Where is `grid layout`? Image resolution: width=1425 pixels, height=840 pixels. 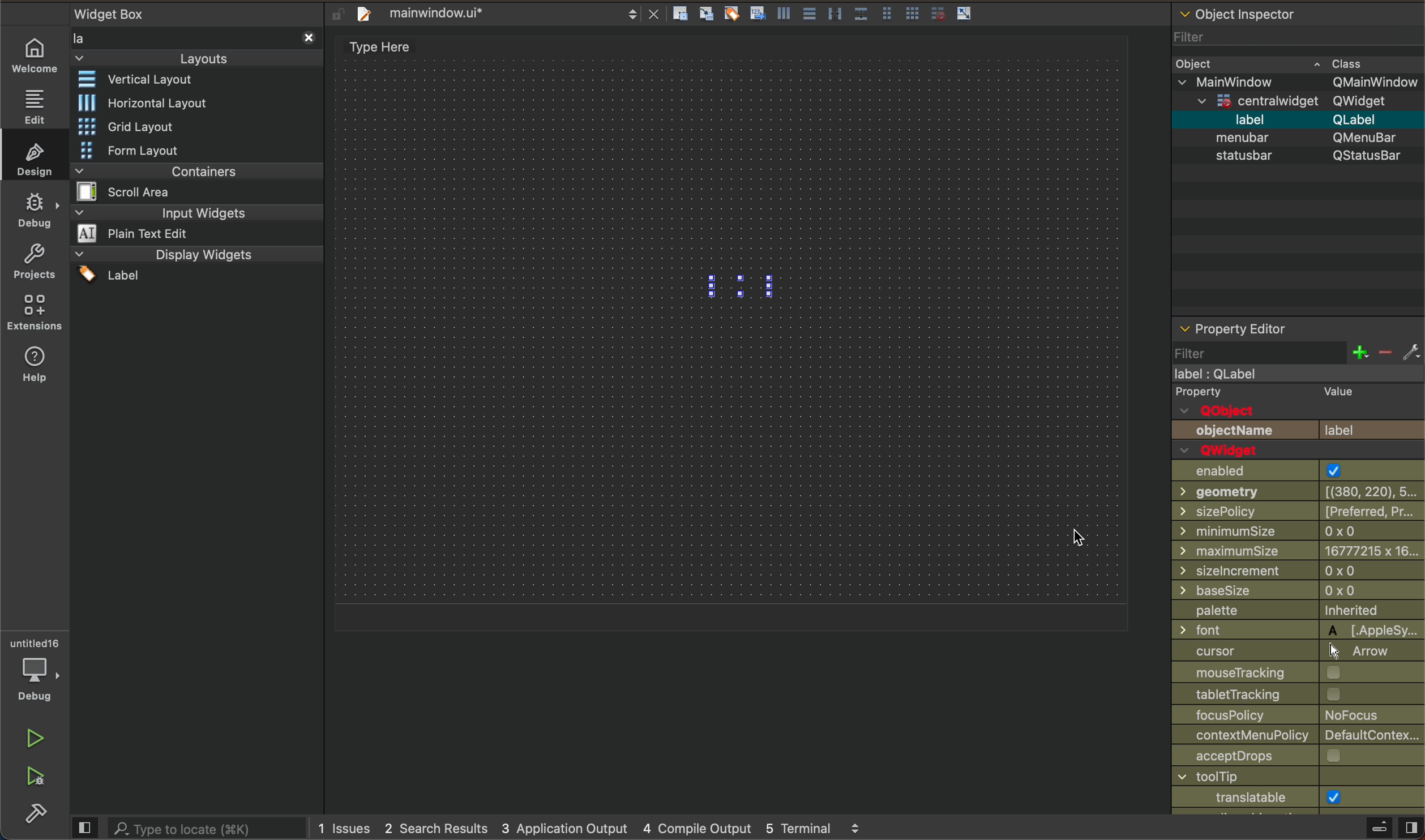
grid layout is located at coordinates (146, 127).